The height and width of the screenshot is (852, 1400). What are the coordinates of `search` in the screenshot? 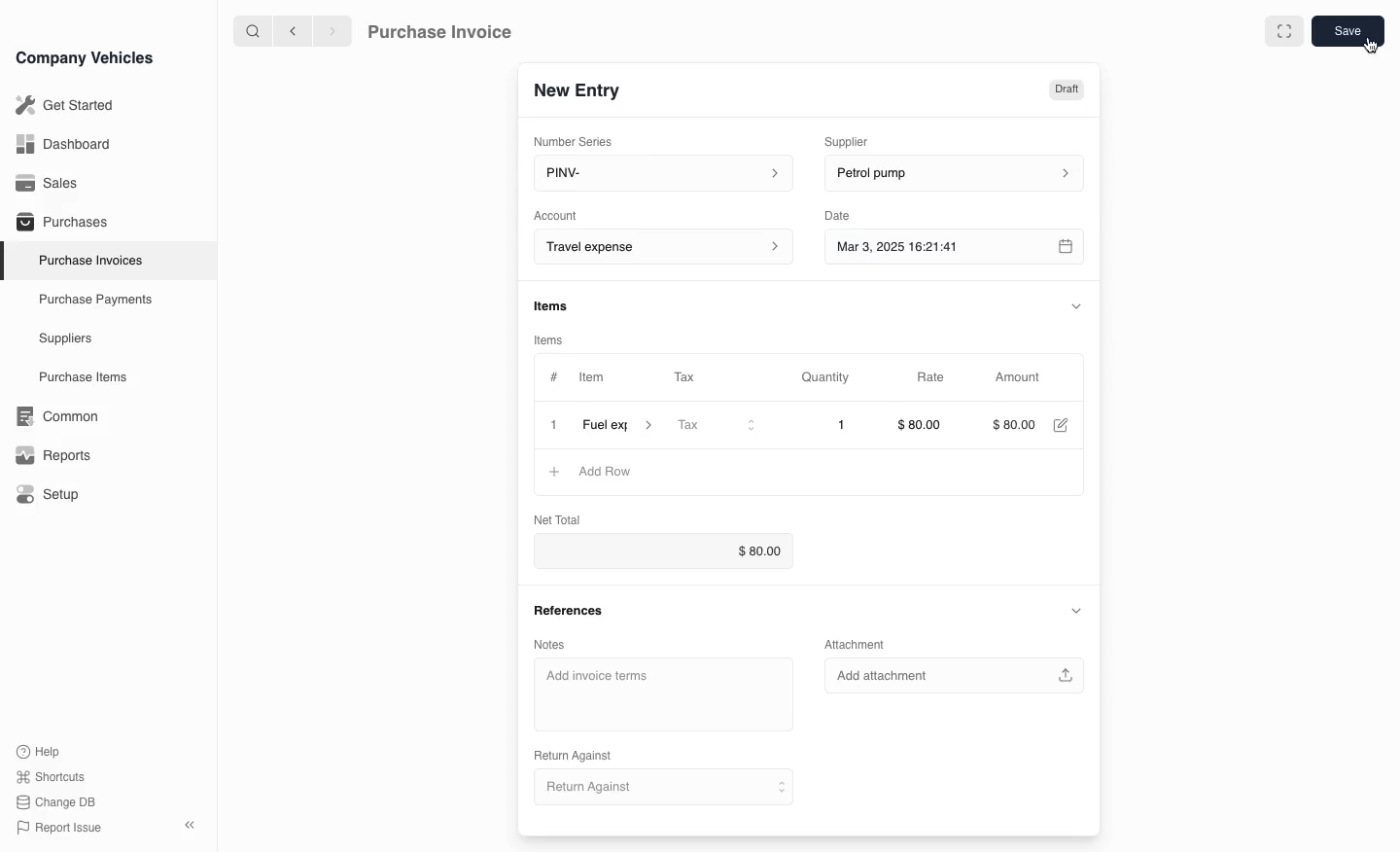 It's located at (254, 30).